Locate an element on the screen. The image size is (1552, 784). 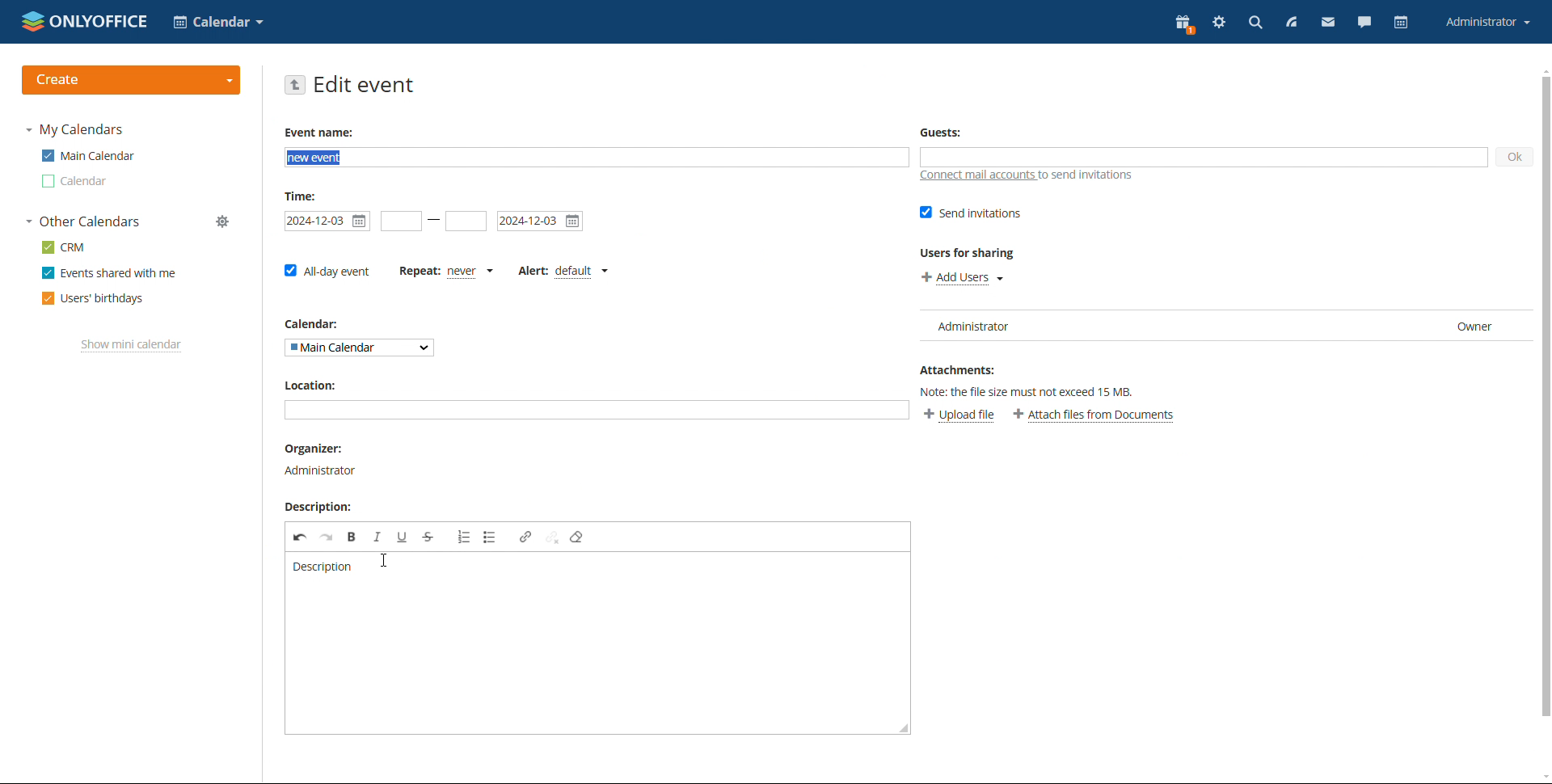
list of users is located at coordinates (1226, 326).